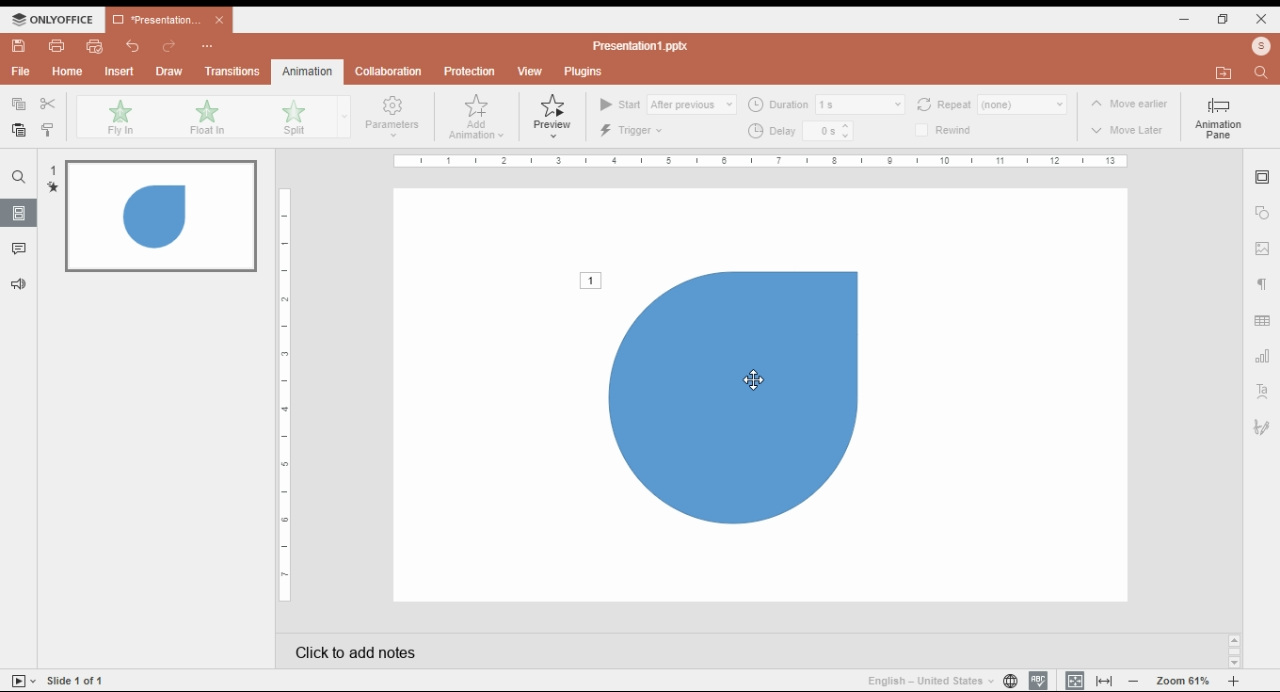 The image size is (1280, 692). I want to click on zoom 61%, so click(1184, 681).